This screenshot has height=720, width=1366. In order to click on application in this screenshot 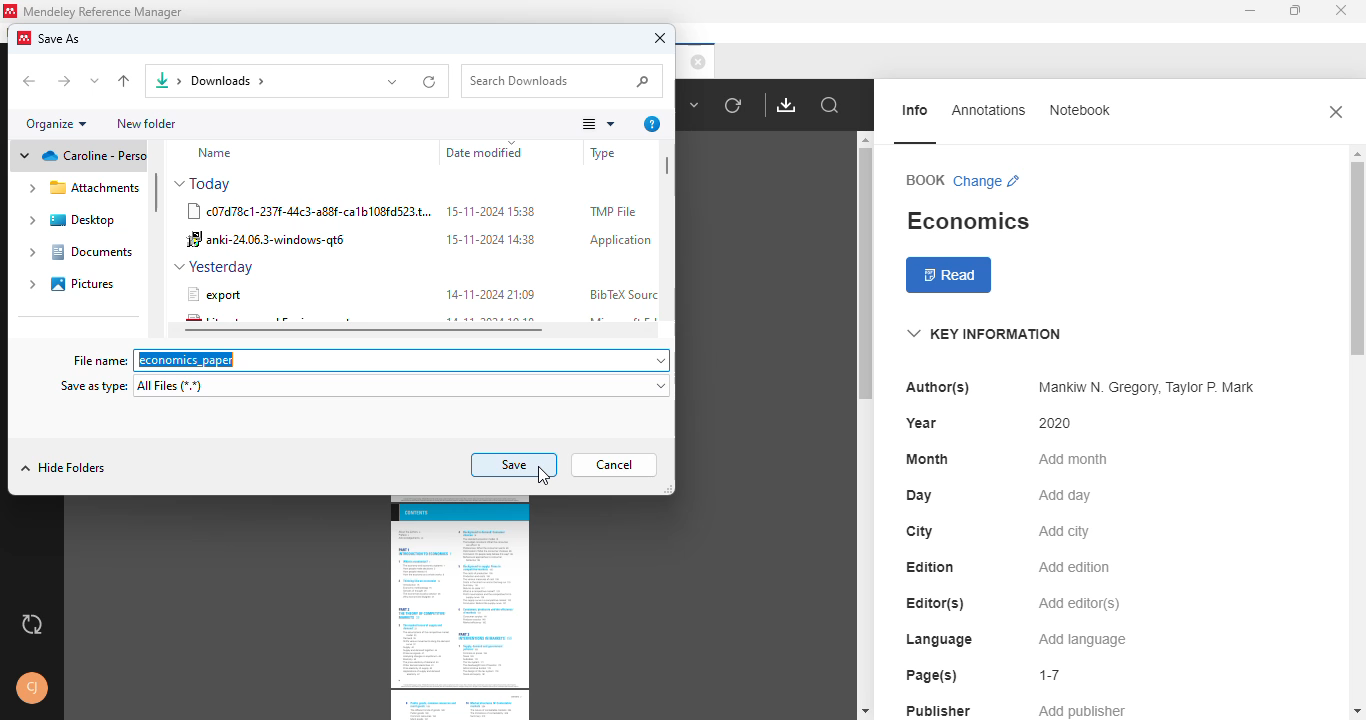, I will do `click(620, 241)`.